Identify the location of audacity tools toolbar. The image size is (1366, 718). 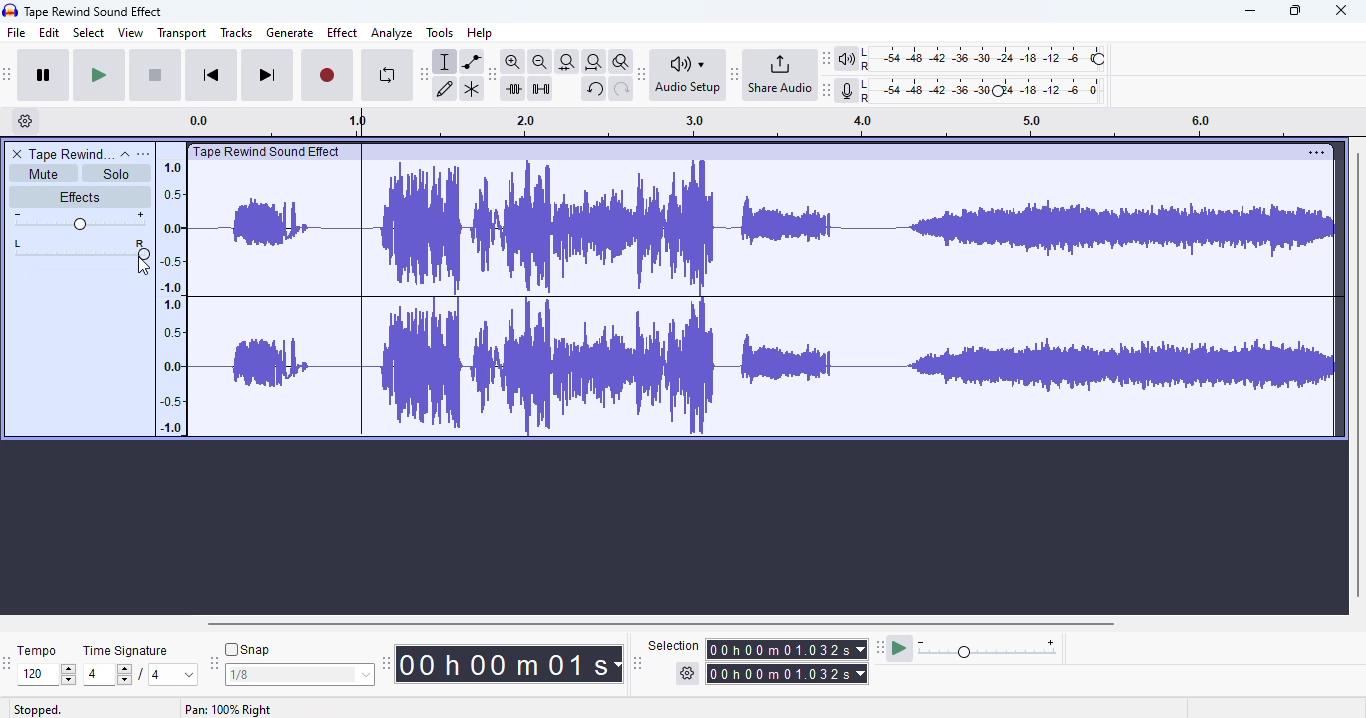
(424, 75).